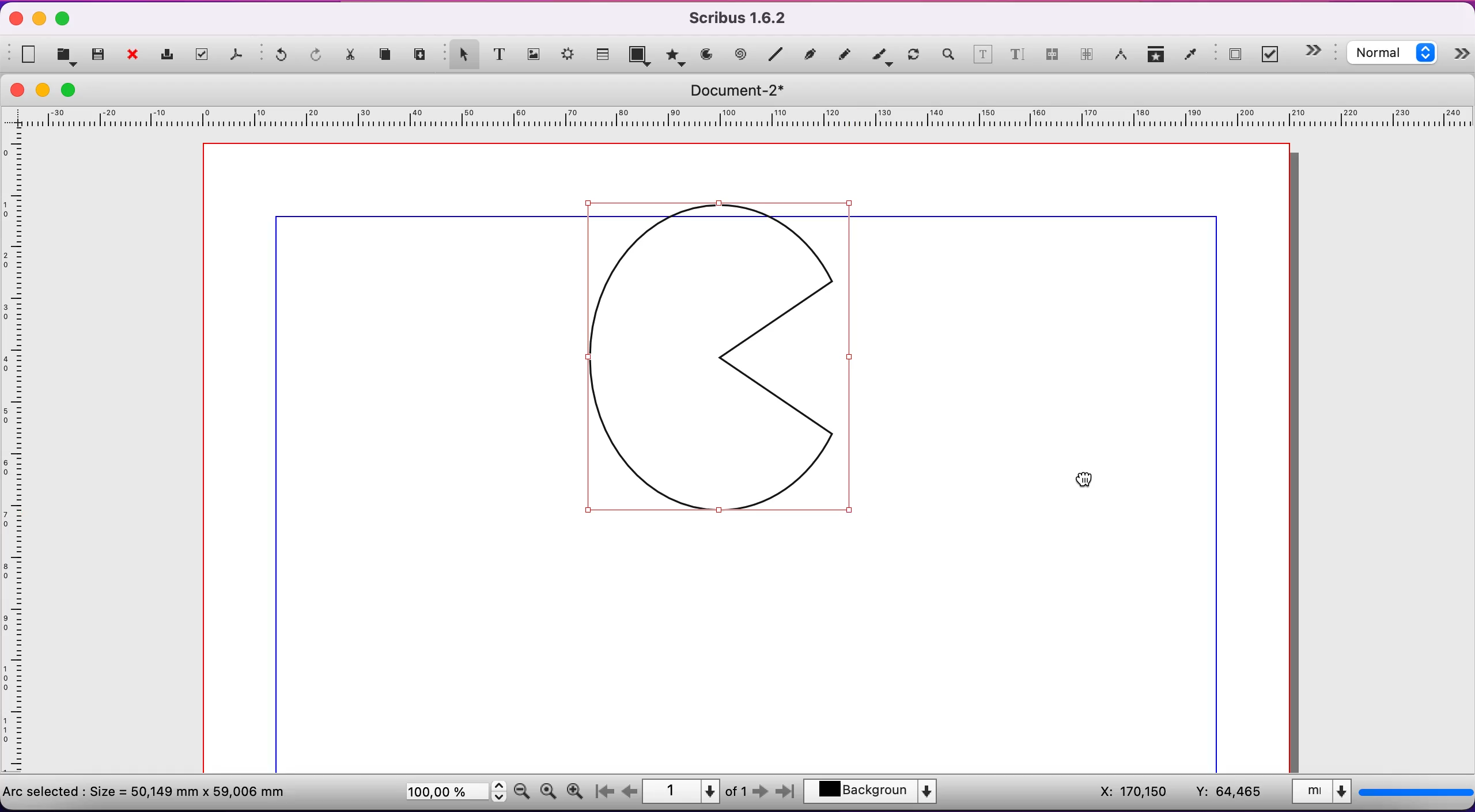  I want to click on hide/show panel, so click(1319, 51).